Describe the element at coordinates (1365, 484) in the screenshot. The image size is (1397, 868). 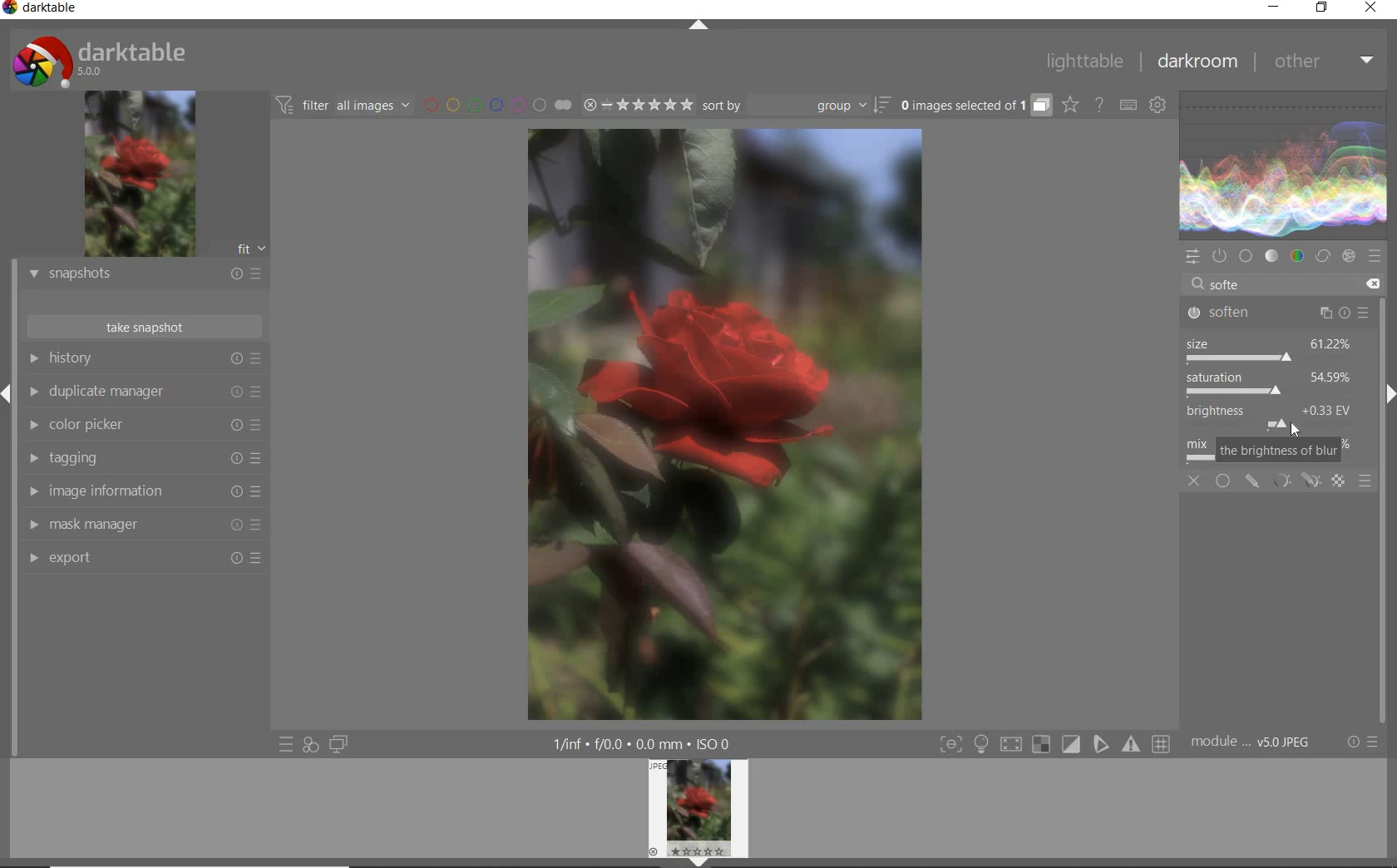
I see `blending options` at that location.